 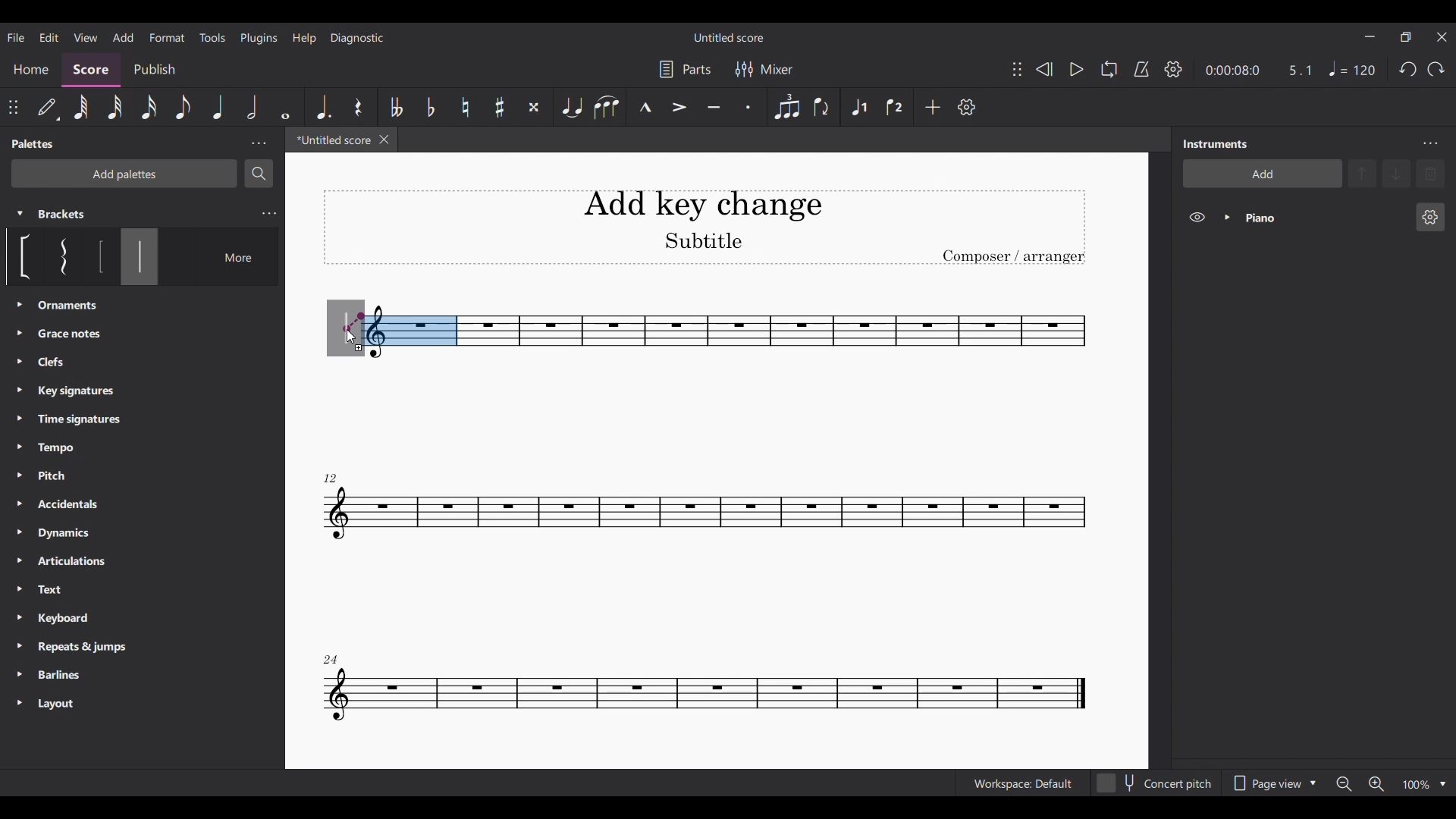 I want to click on Play, so click(x=1077, y=69).